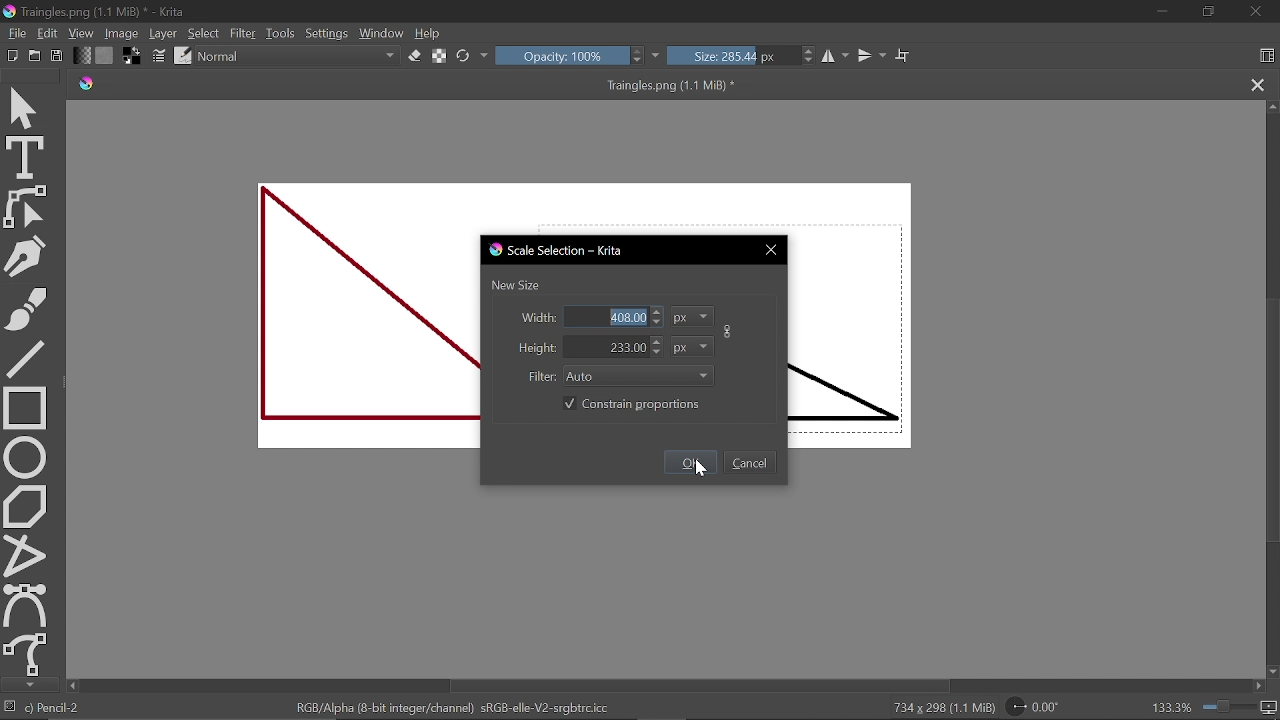 This screenshot has height=720, width=1280. Describe the element at coordinates (58, 56) in the screenshot. I see `Save` at that location.